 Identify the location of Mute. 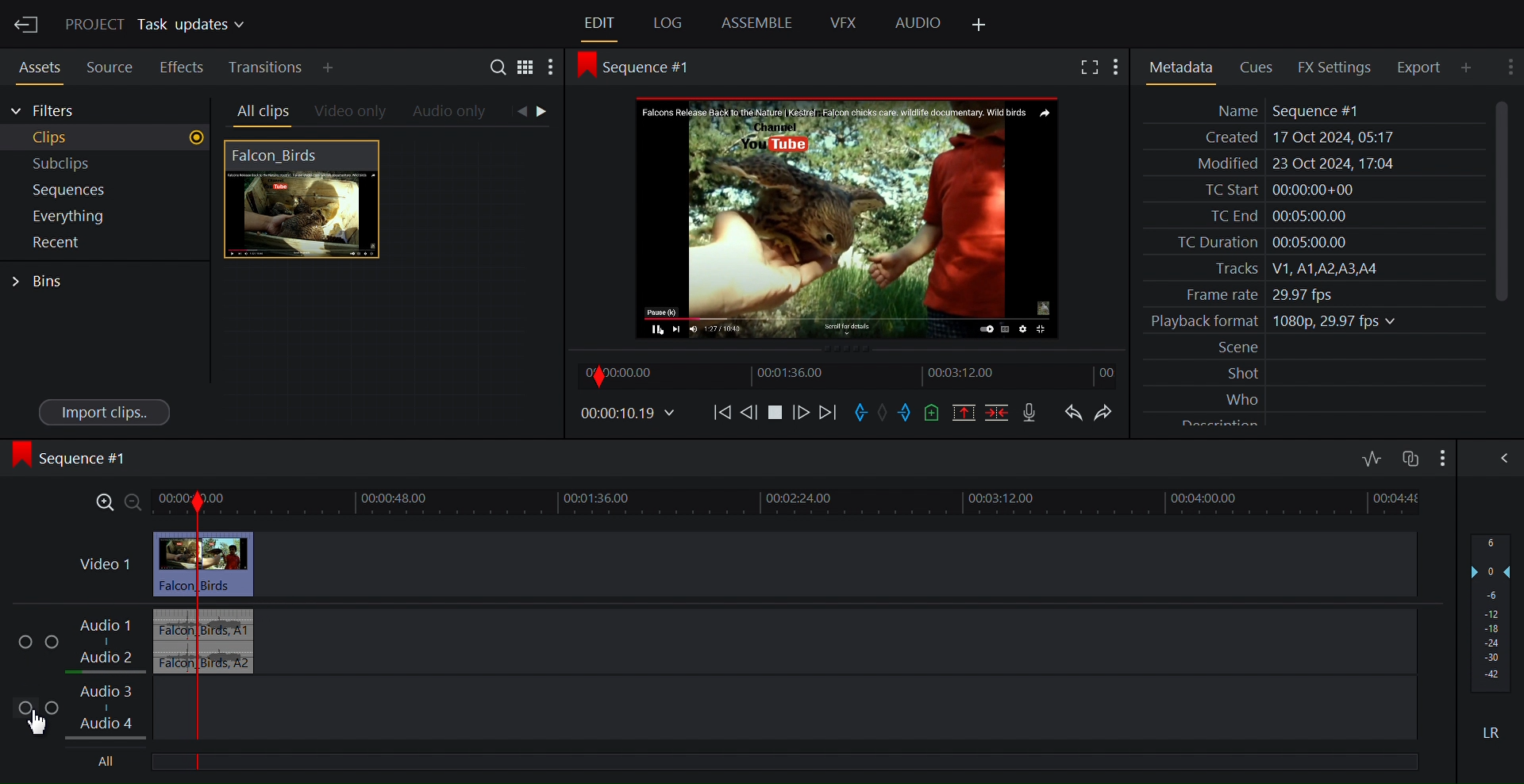
(1493, 732).